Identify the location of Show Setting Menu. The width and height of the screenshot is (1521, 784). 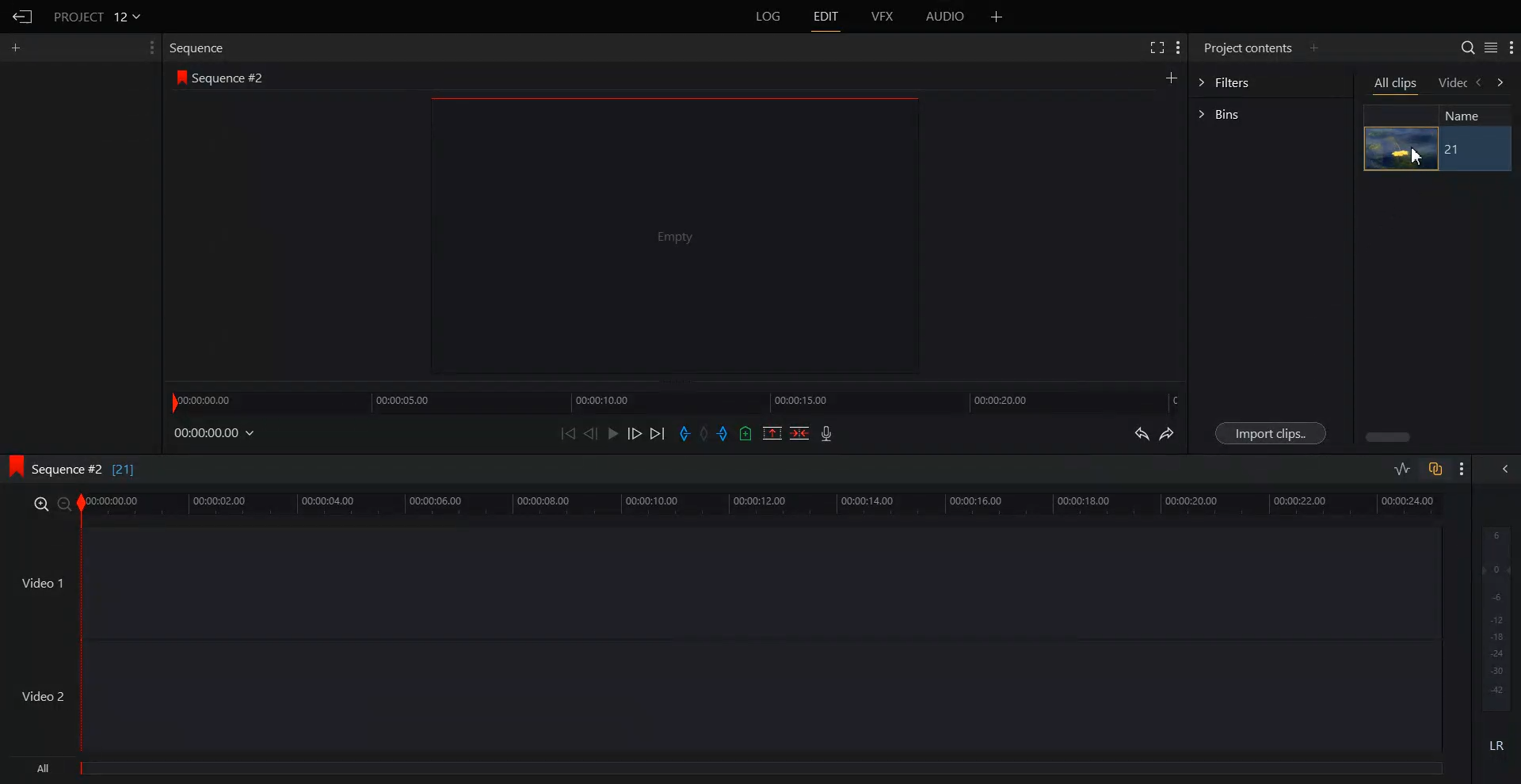
(1178, 48).